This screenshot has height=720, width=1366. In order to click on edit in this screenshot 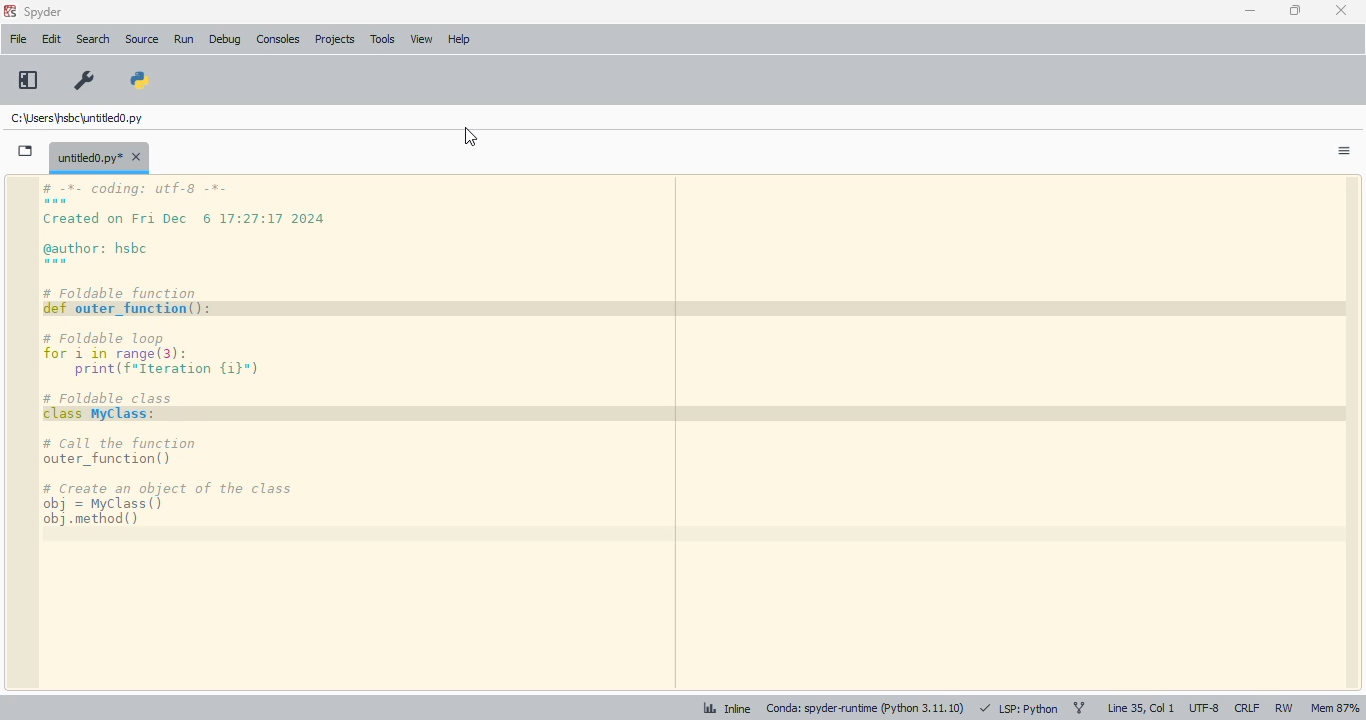, I will do `click(52, 38)`.